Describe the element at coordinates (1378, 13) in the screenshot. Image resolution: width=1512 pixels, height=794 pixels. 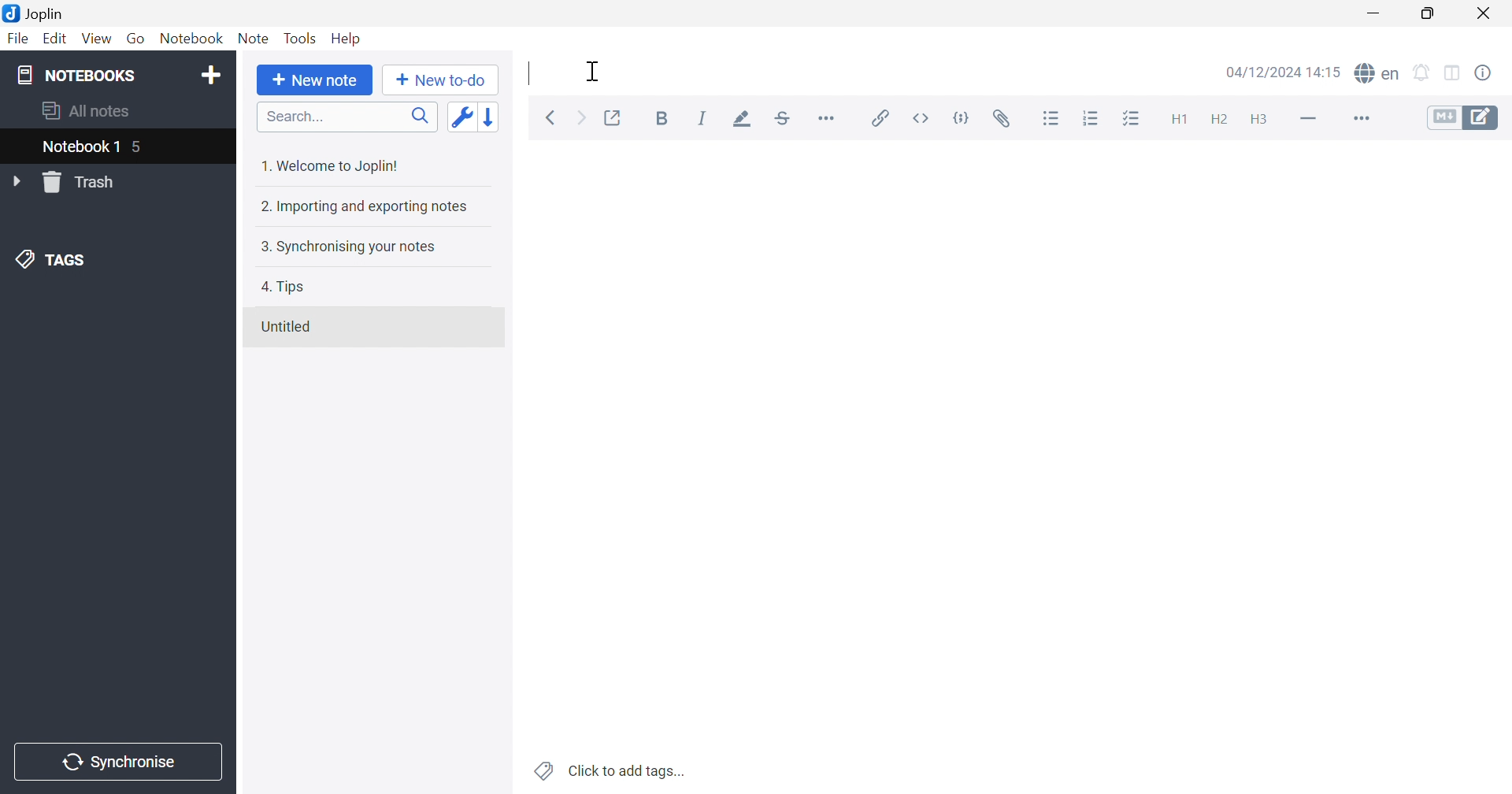
I see `Minimize` at that location.